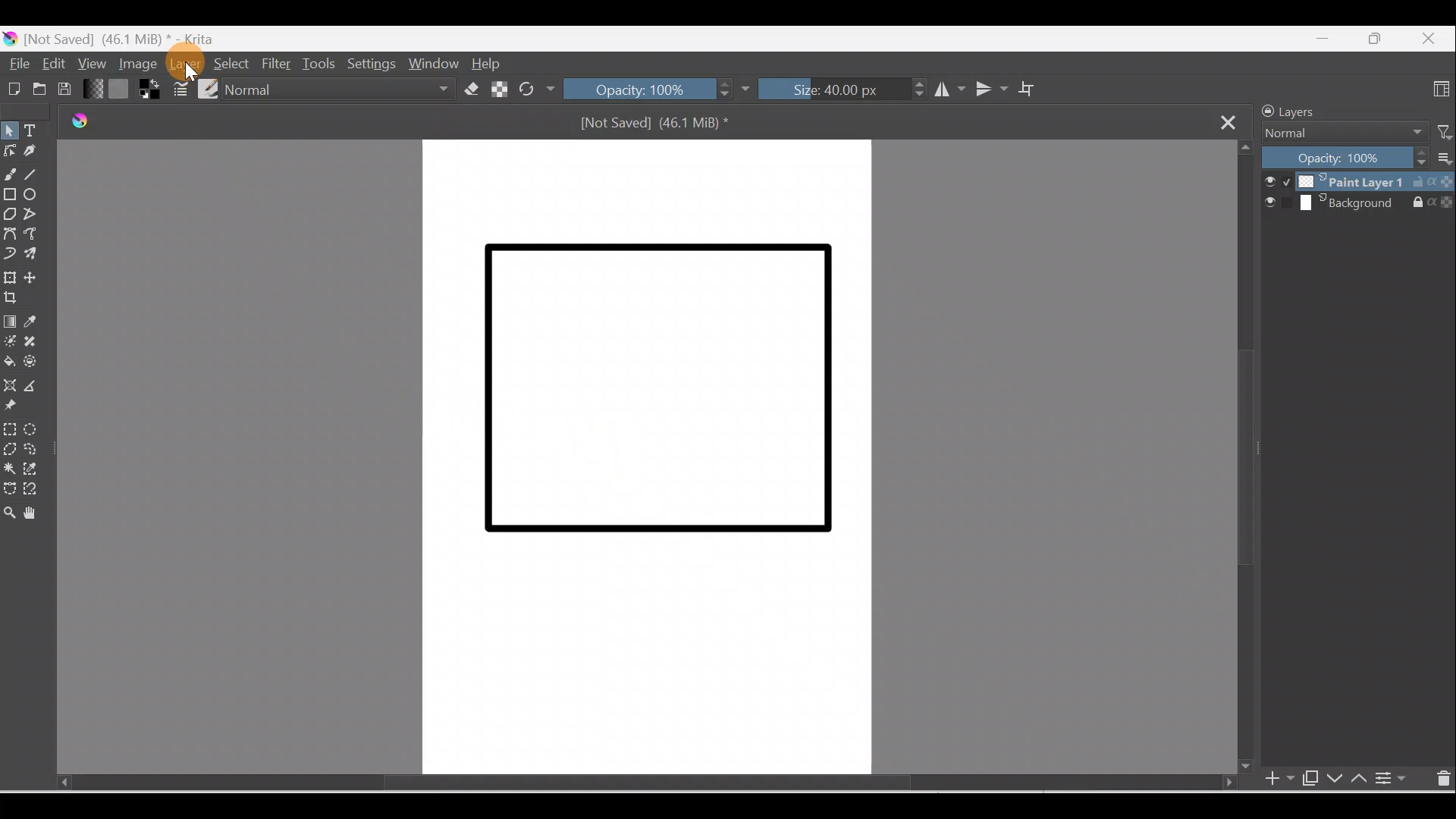 The height and width of the screenshot is (819, 1456). What do you see at coordinates (14, 407) in the screenshot?
I see `Reference images tool` at bounding box center [14, 407].